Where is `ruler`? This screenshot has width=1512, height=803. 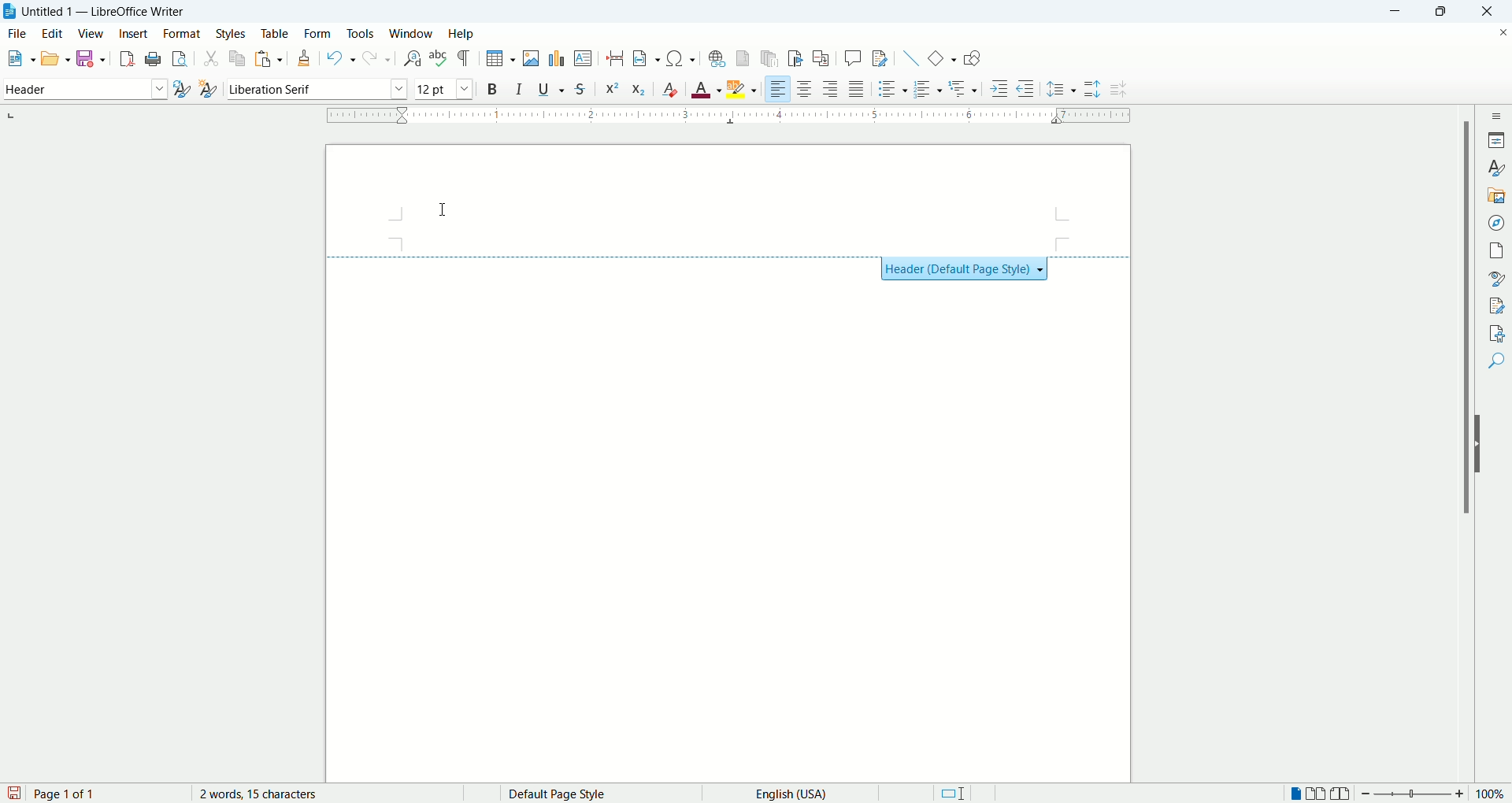 ruler is located at coordinates (722, 116).